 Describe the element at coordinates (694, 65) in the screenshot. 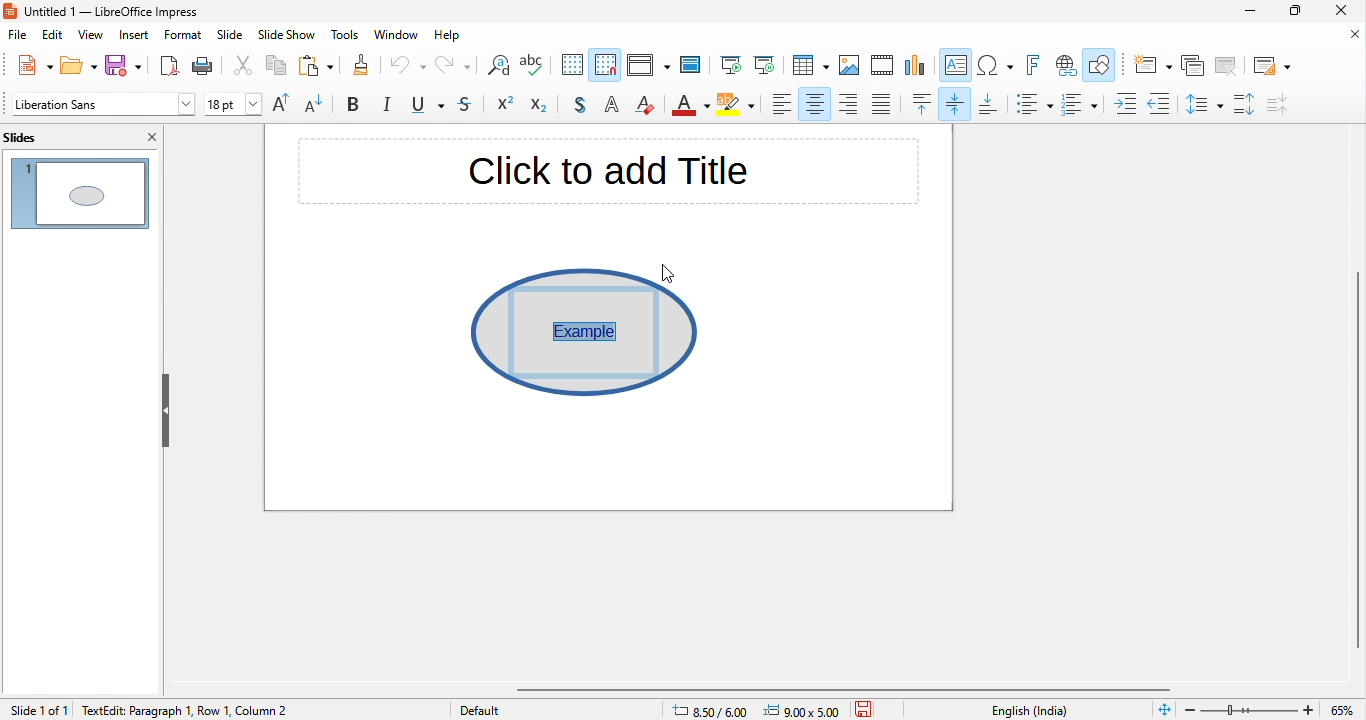

I see `master slide` at that location.